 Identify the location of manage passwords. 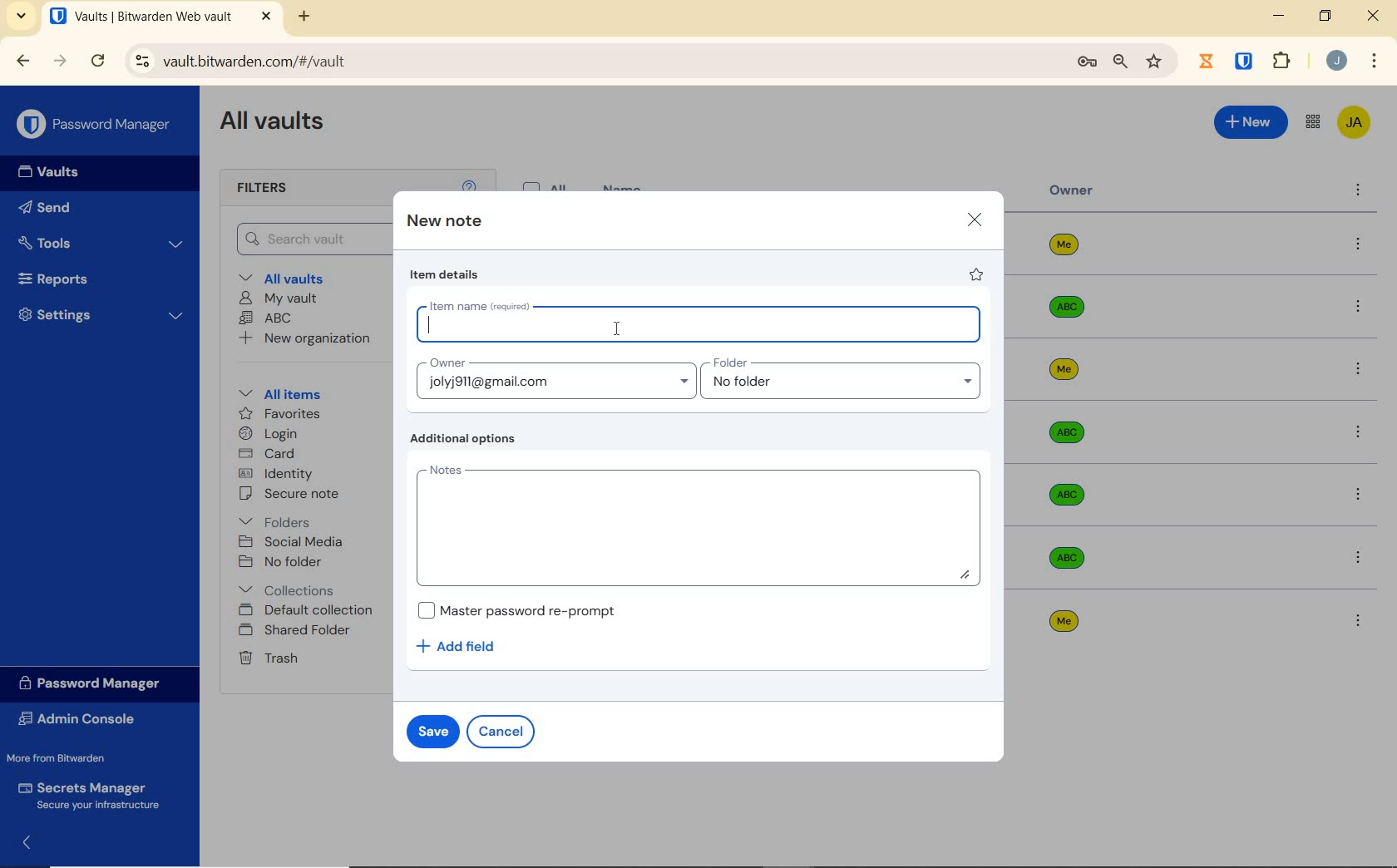
(1087, 63).